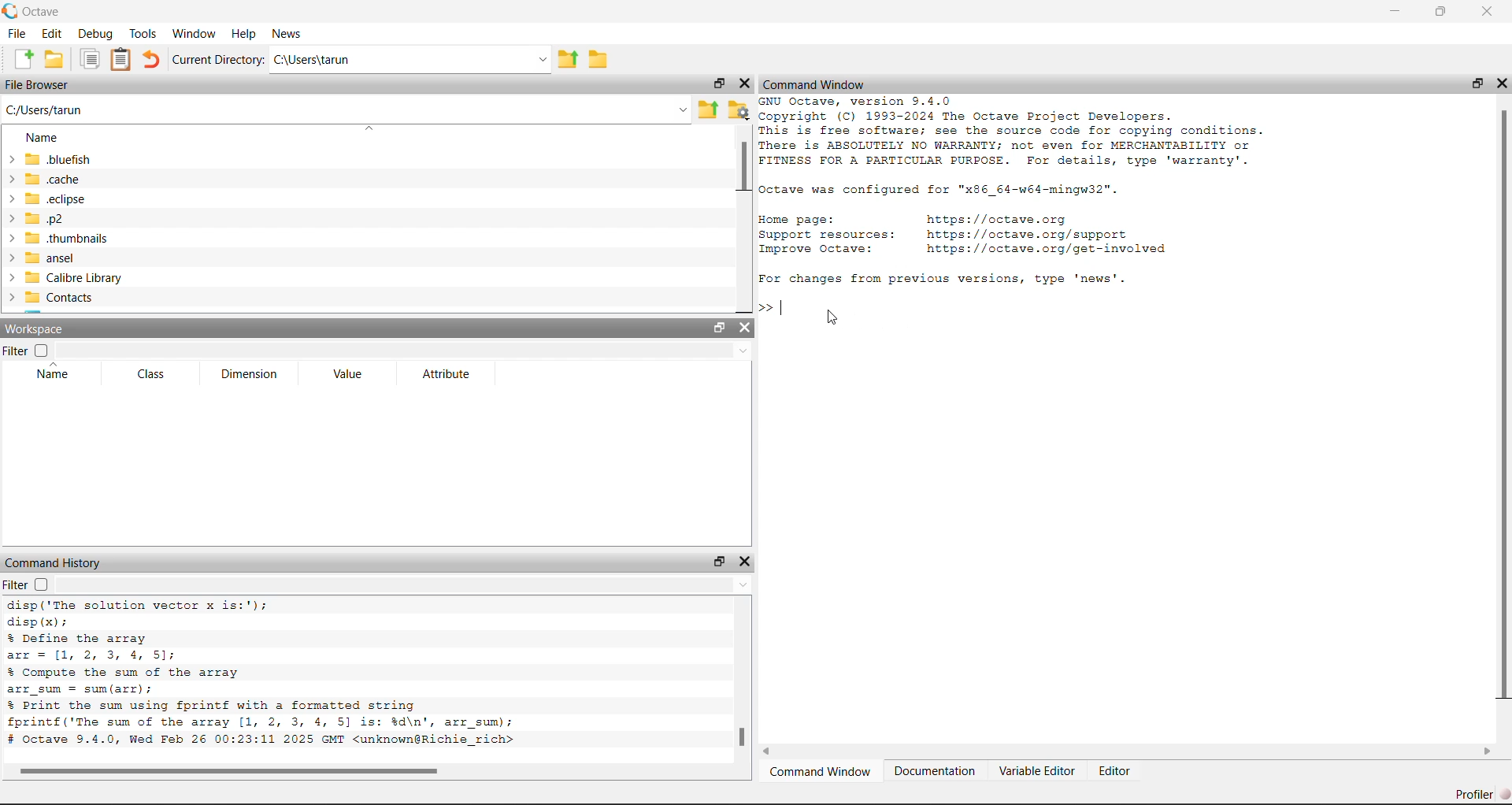 The width and height of the screenshot is (1512, 805). What do you see at coordinates (287, 32) in the screenshot?
I see `News` at bounding box center [287, 32].